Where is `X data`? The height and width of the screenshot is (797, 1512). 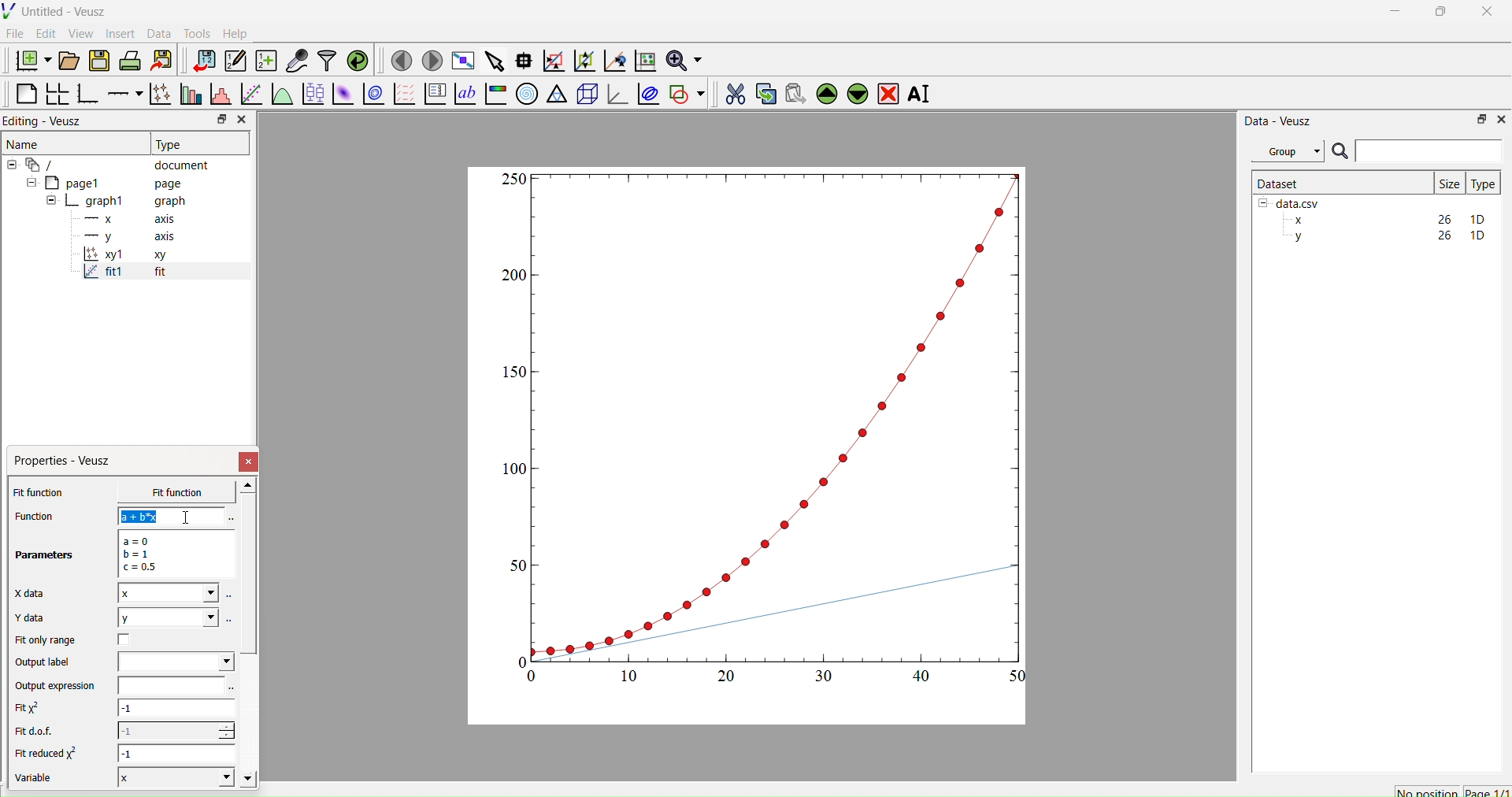
X data is located at coordinates (33, 591).